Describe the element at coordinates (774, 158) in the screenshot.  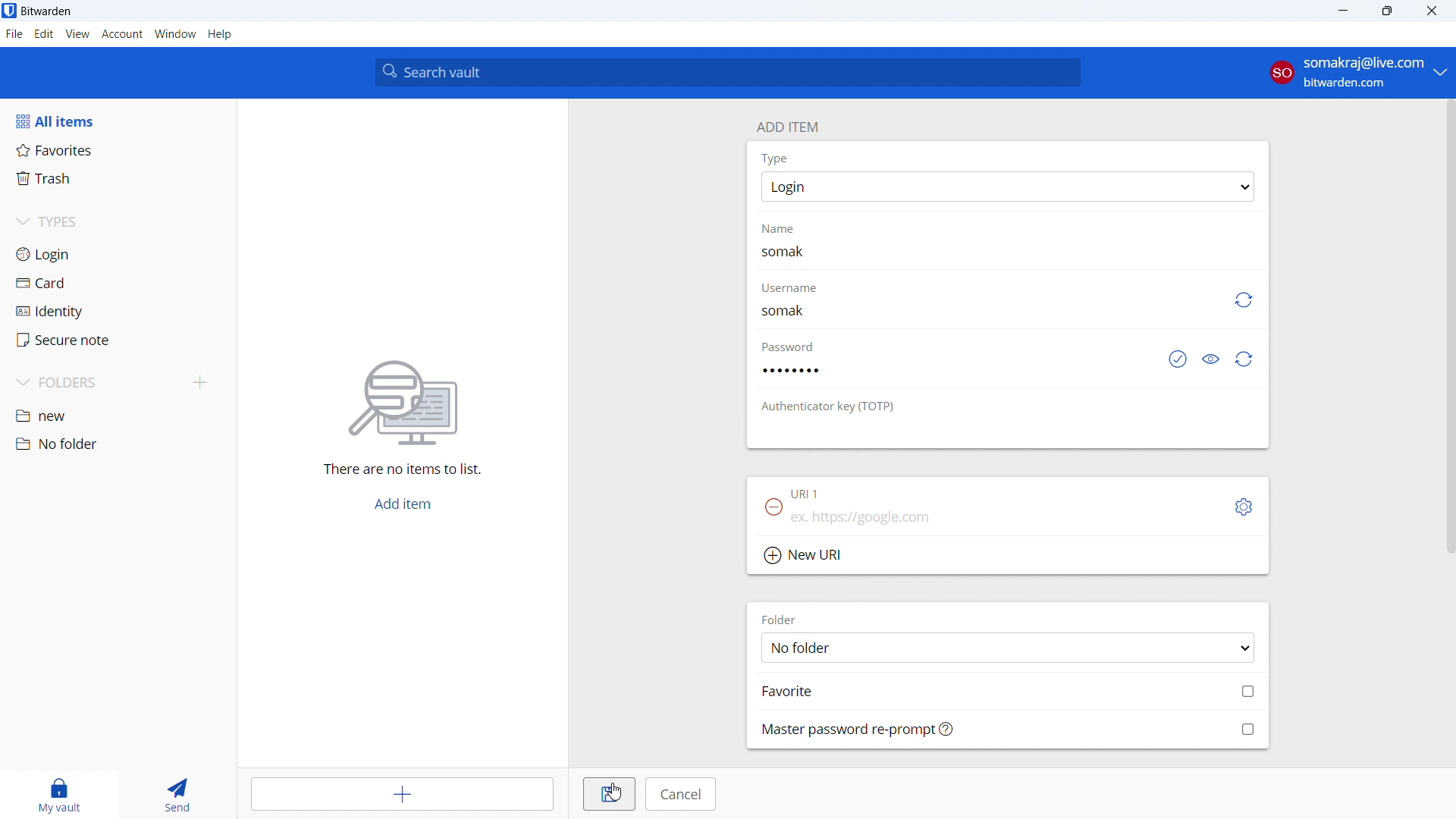
I see `Type` at that location.